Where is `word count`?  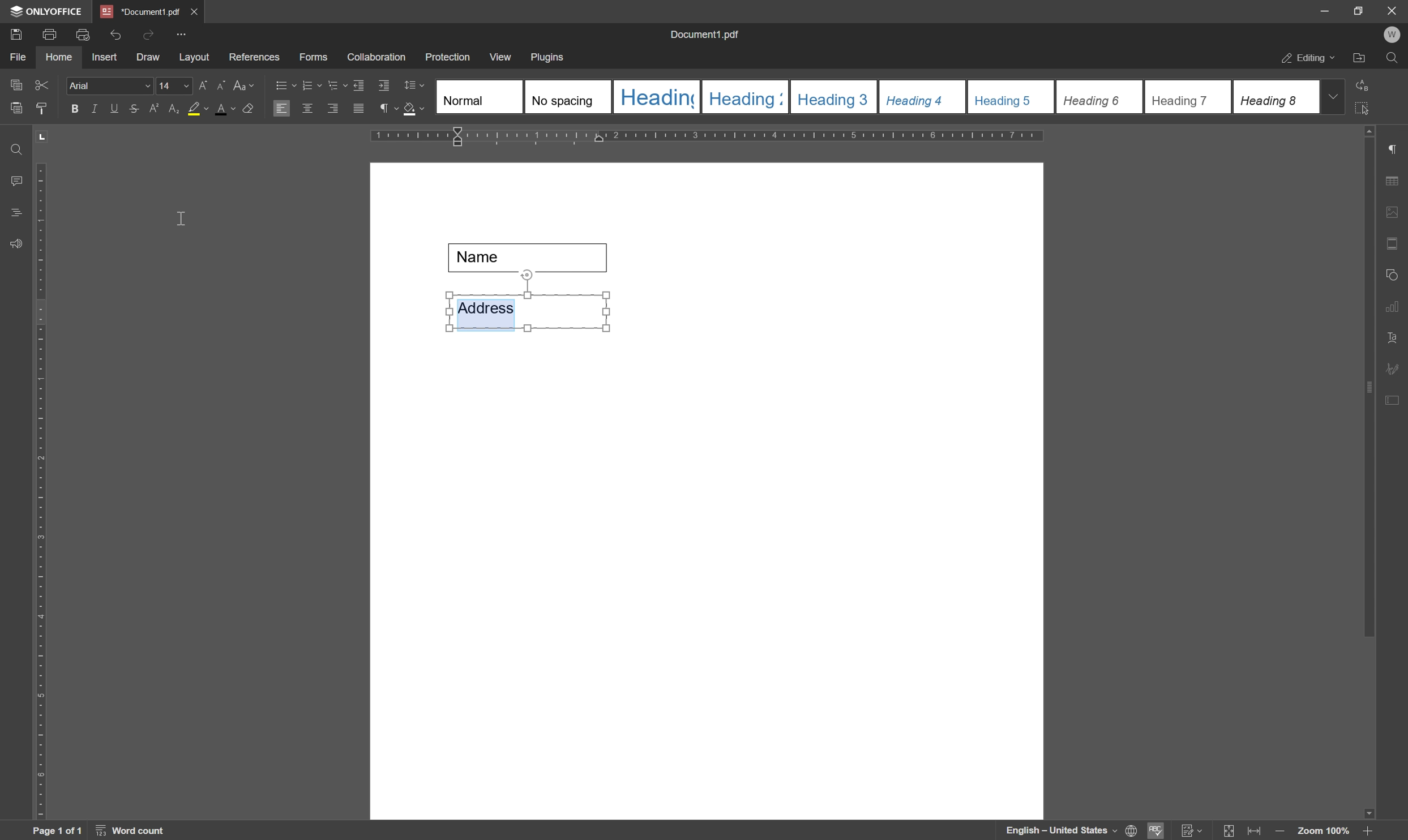
word count is located at coordinates (134, 831).